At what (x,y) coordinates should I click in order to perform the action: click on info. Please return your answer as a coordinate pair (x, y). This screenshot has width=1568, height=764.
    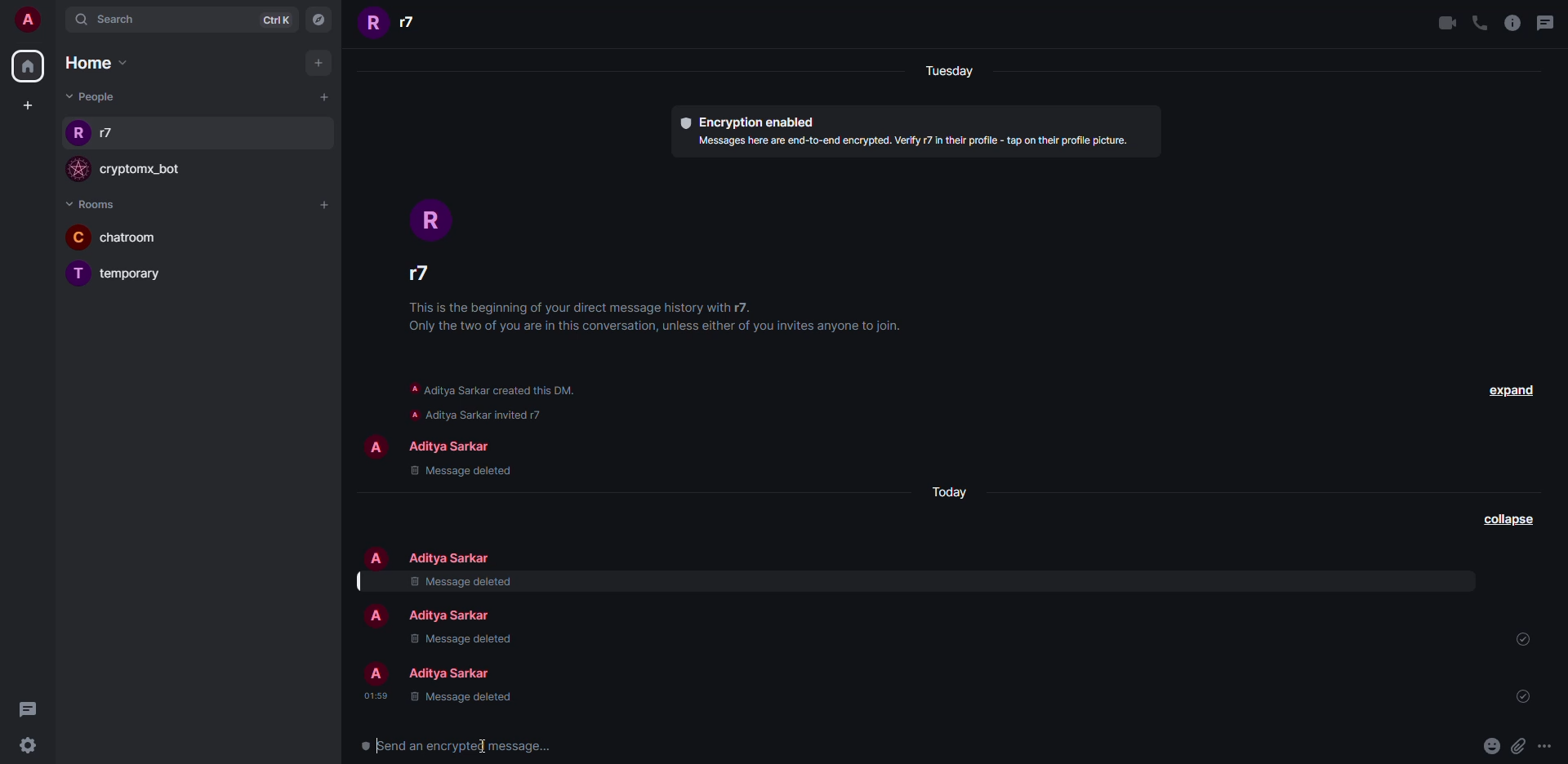
    Looking at the image, I should click on (1512, 23).